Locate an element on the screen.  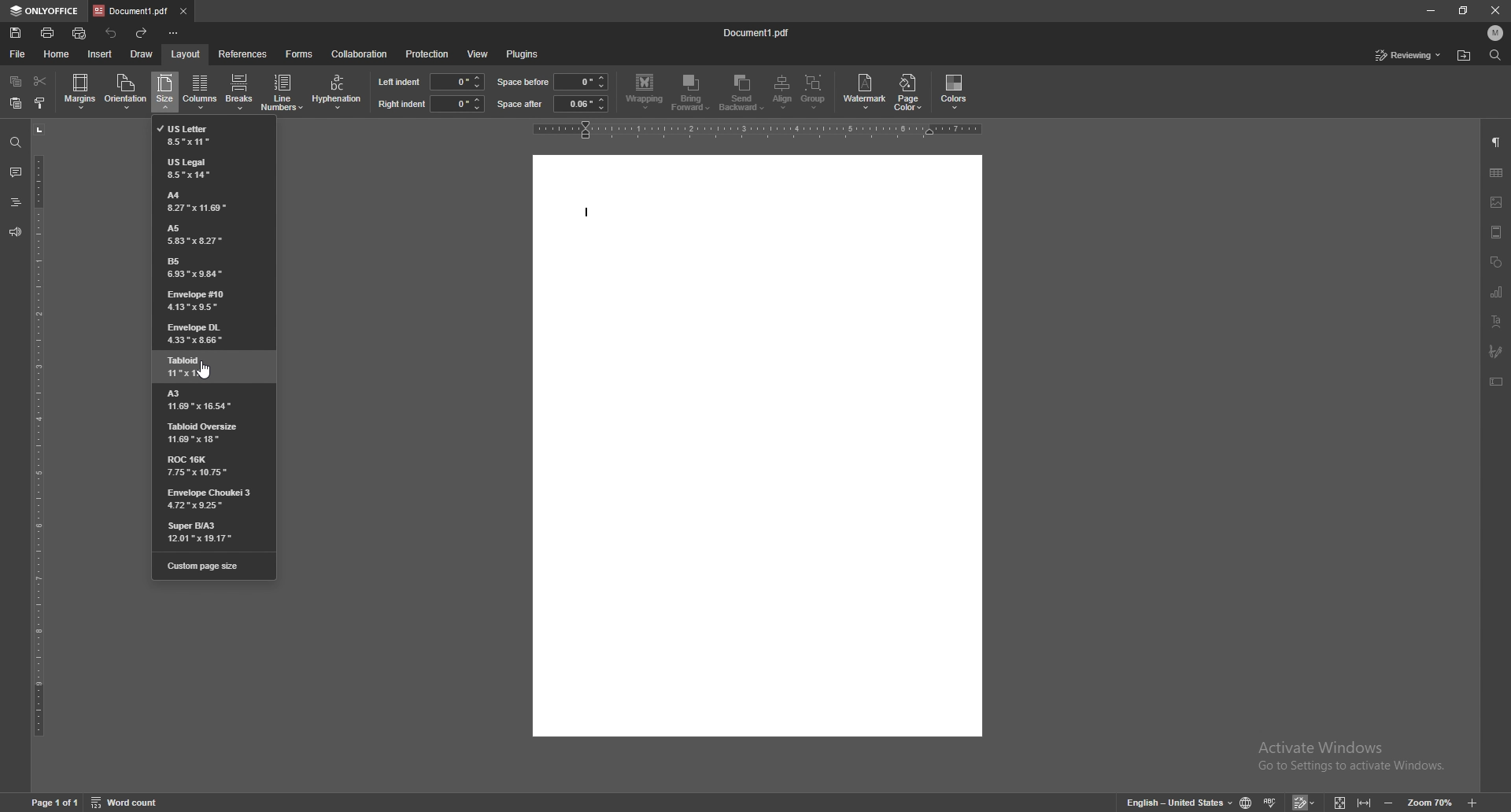
breaks is located at coordinates (238, 88).